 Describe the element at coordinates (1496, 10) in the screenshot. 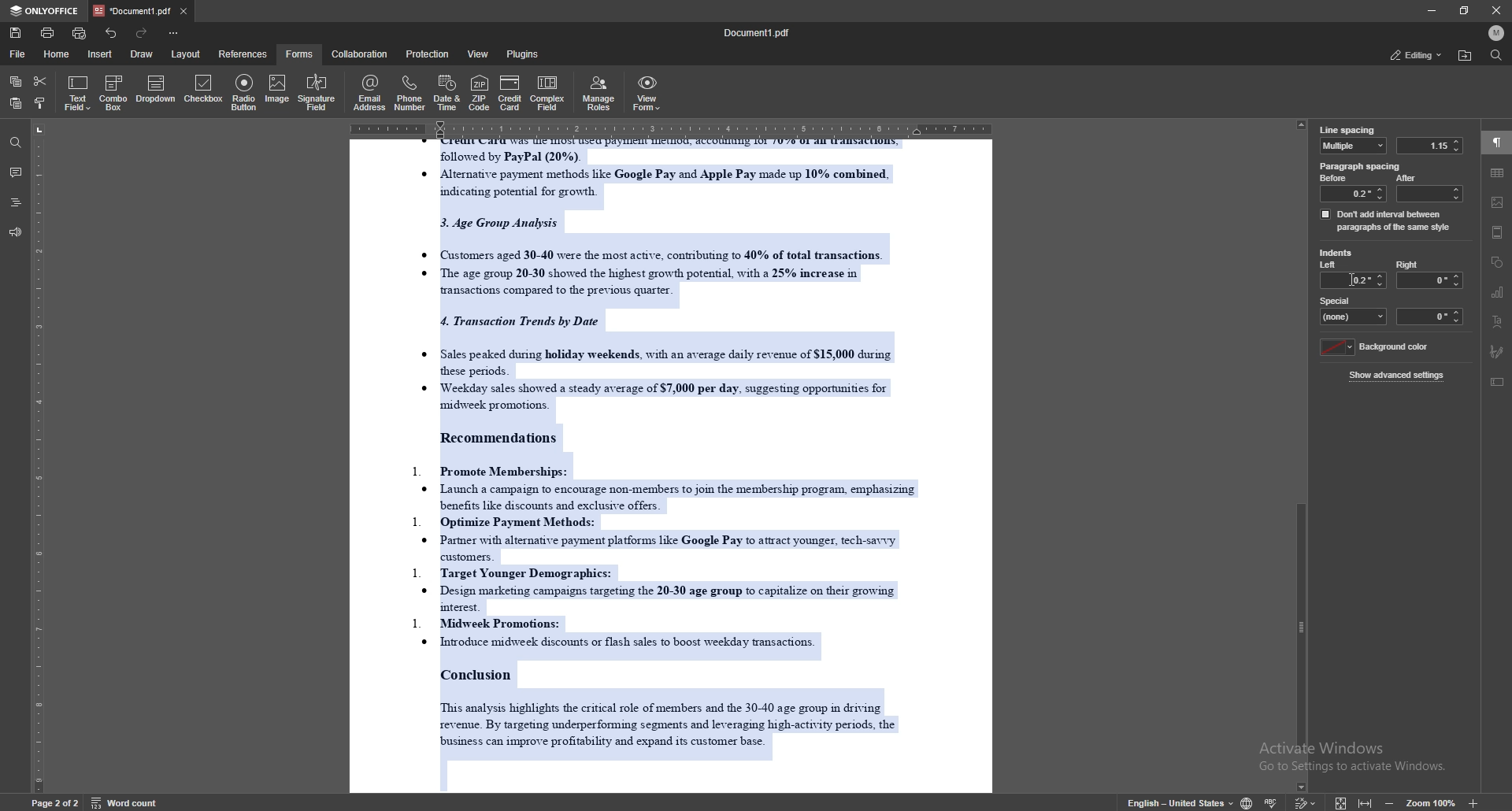

I see `close` at that location.